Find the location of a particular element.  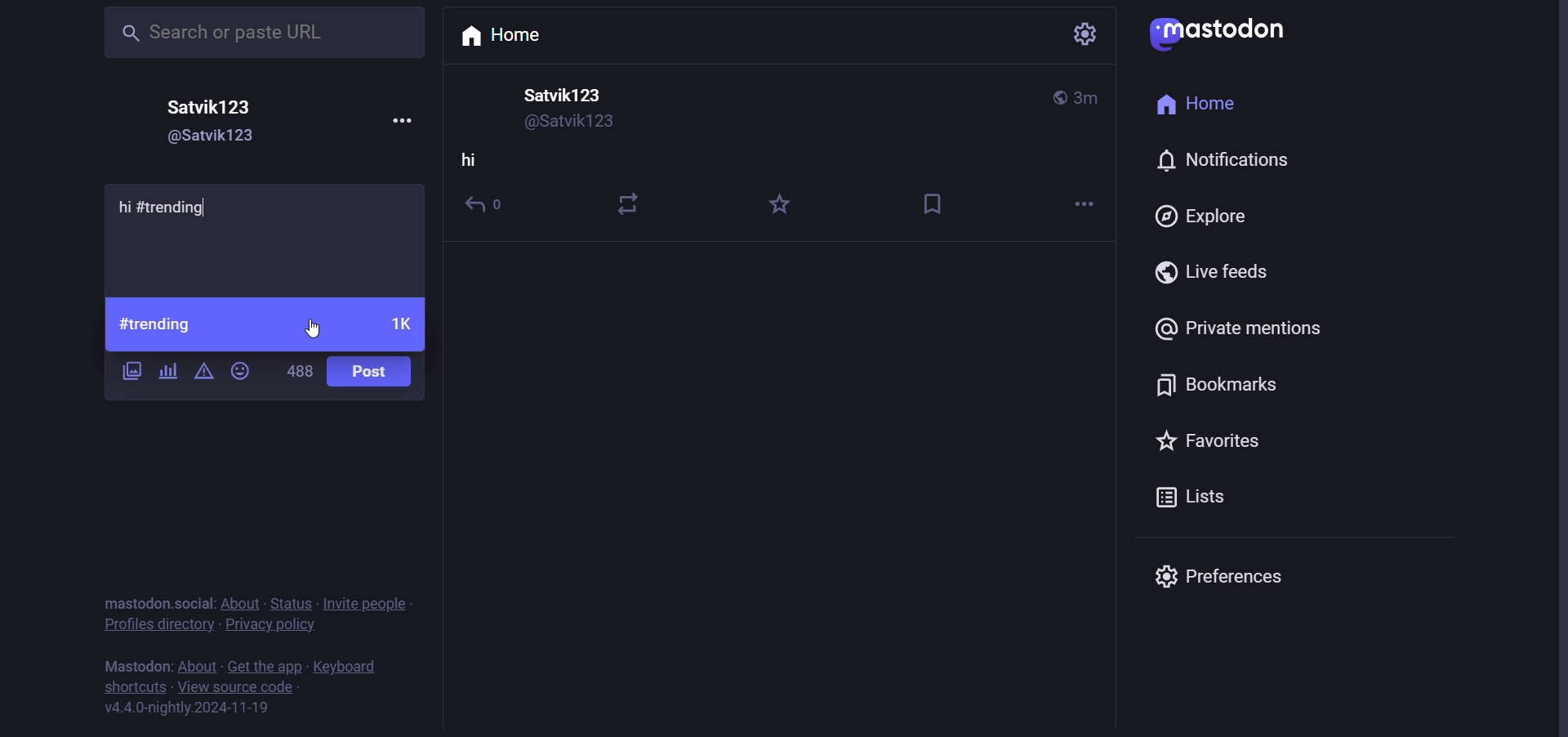

user id is located at coordinates (207, 140).